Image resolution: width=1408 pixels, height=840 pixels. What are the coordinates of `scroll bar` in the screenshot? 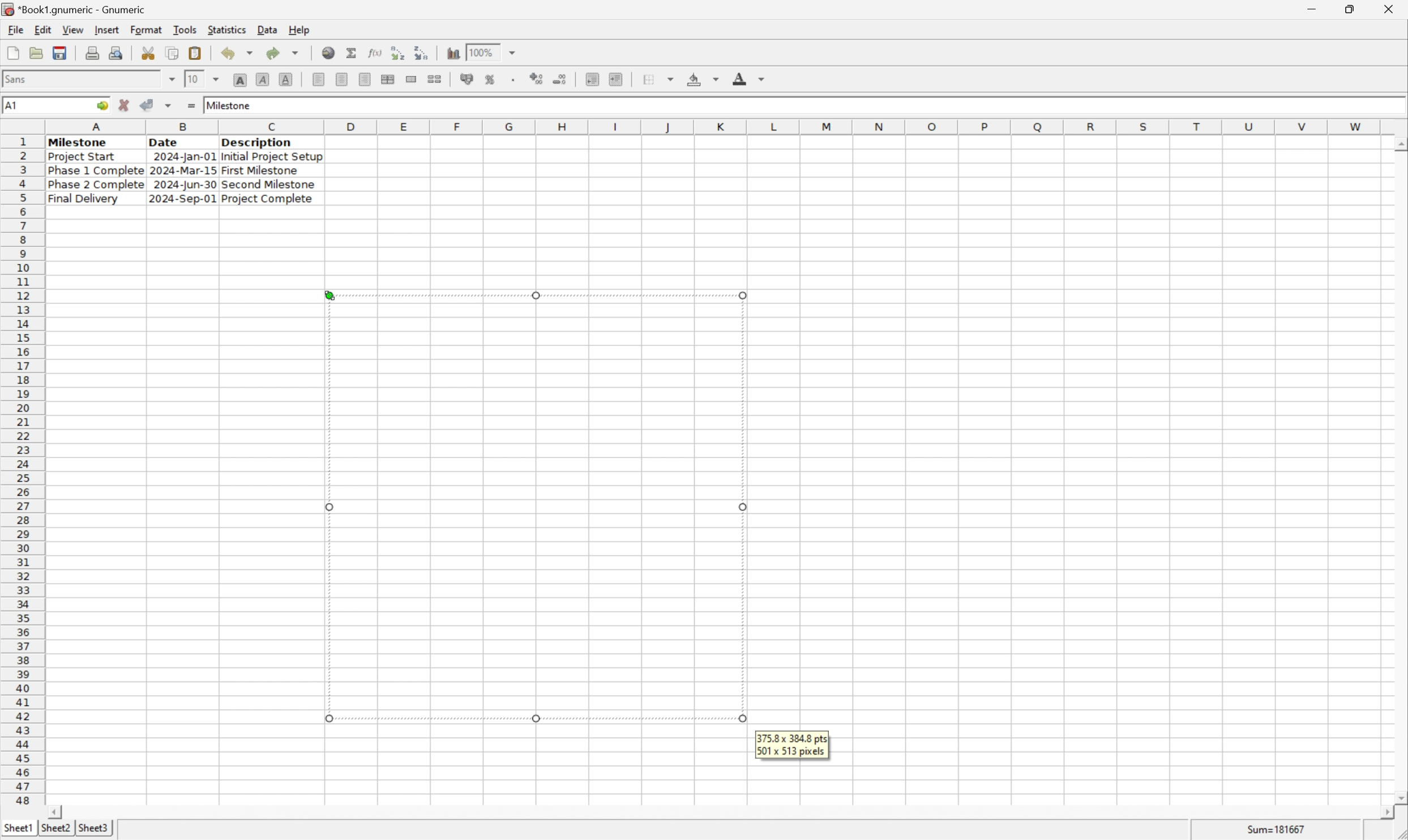 It's located at (720, 812).